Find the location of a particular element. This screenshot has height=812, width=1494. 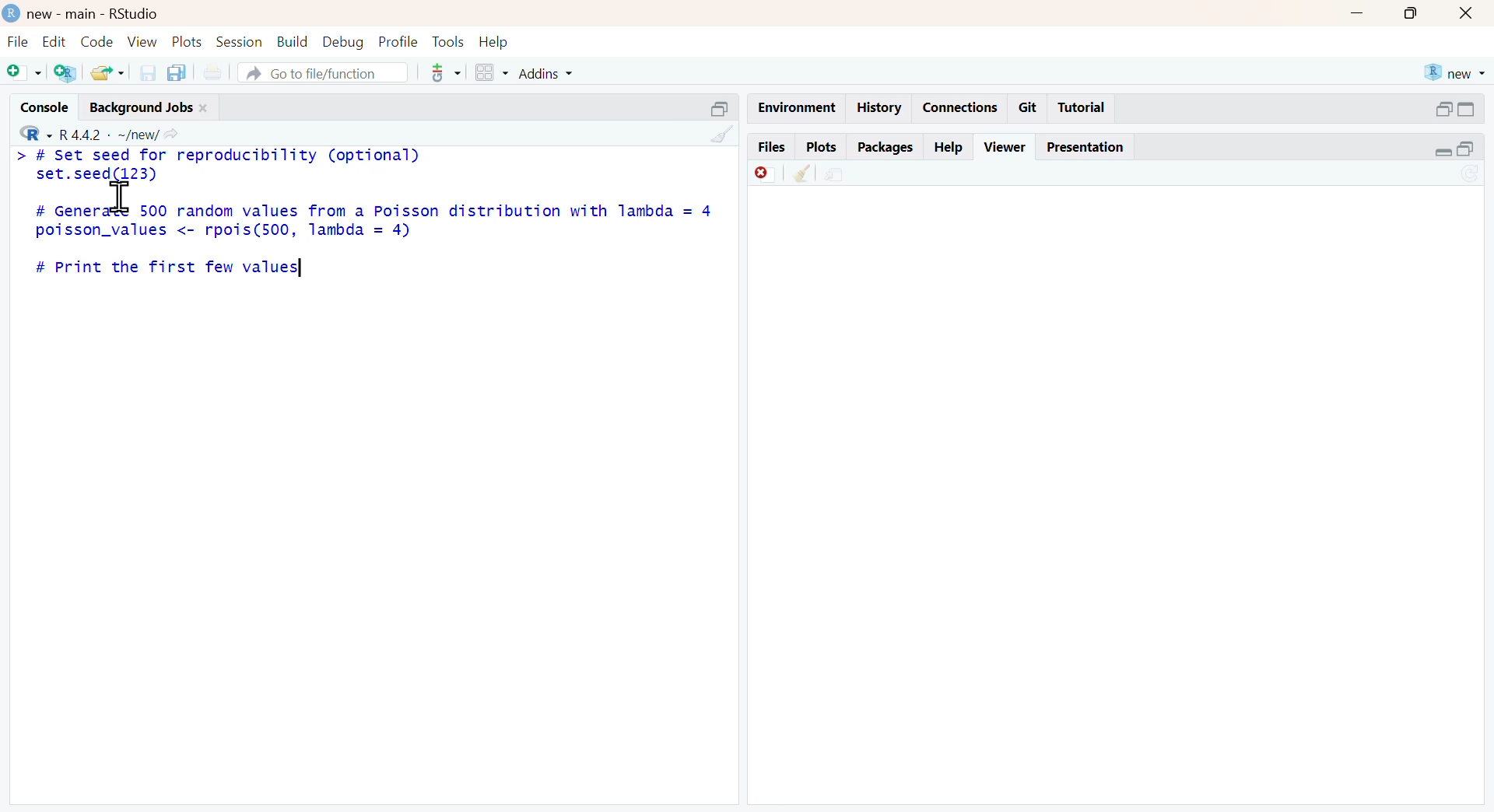

file is located at coordinates (20, 41).